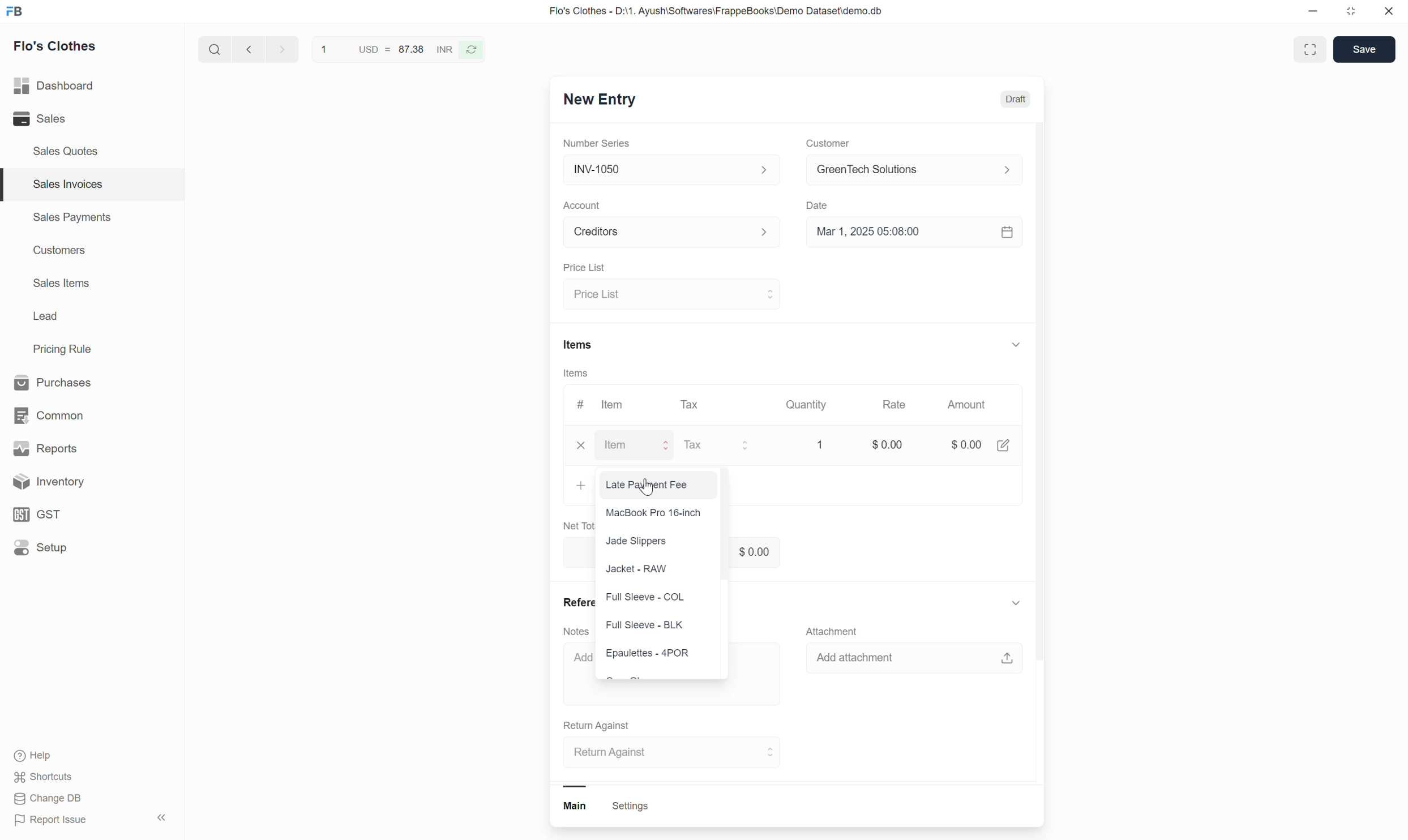 Image resolution: width=1408 pixels, height=840 pixels. I want to click on main, so click(580, 808).